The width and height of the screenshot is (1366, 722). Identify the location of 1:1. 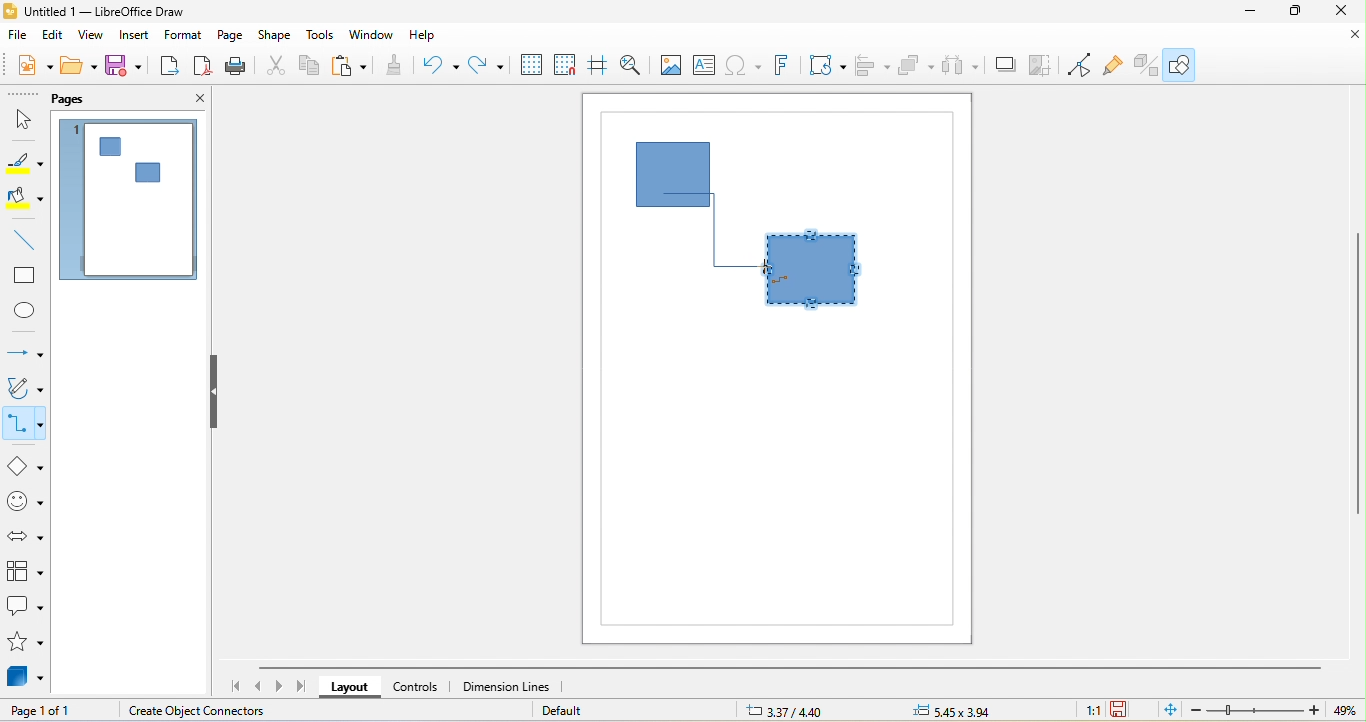
(1092, 710).